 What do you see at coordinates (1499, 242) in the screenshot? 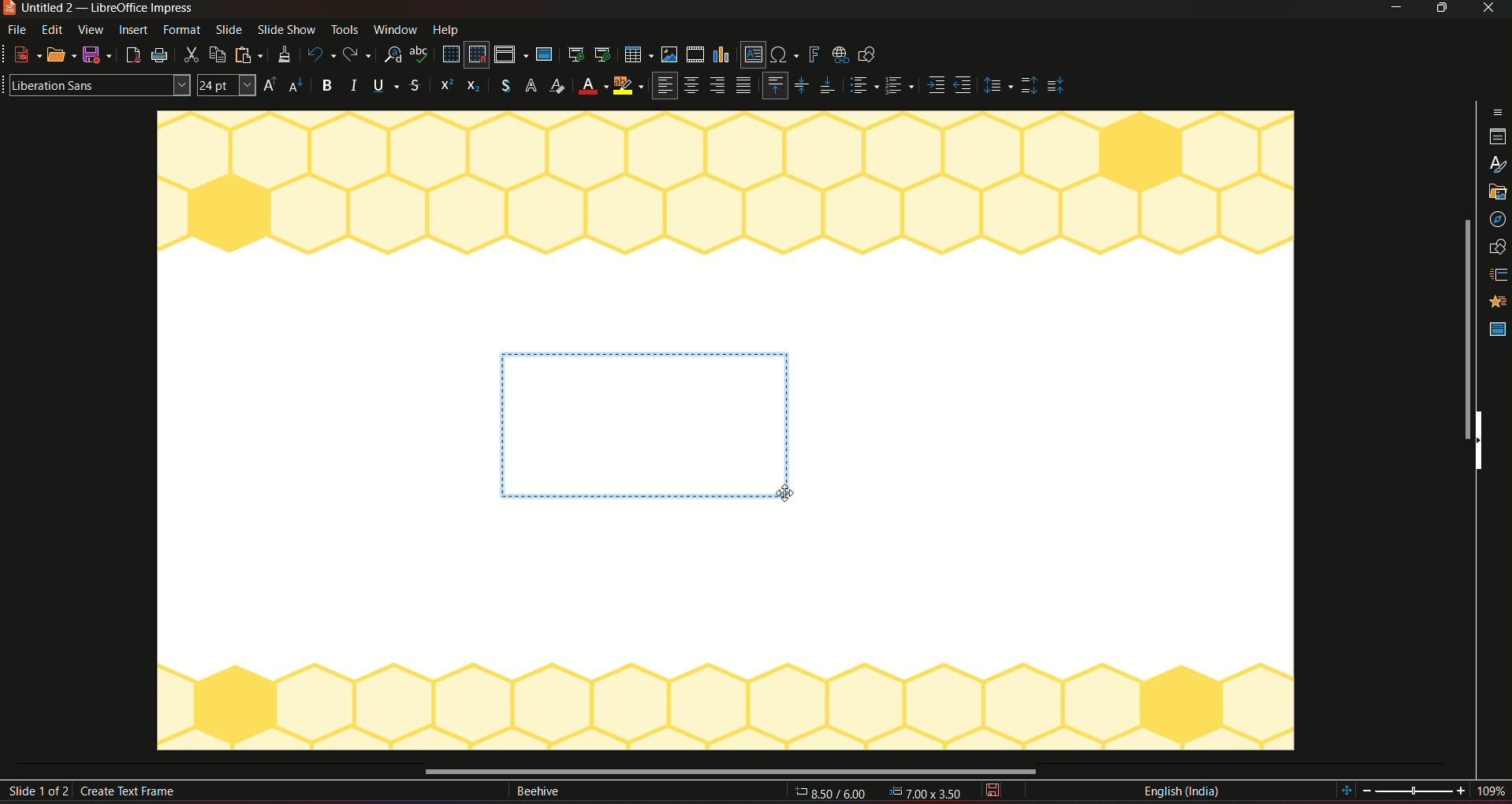
I see `slide transition ` at bounding box center [1499, 242].